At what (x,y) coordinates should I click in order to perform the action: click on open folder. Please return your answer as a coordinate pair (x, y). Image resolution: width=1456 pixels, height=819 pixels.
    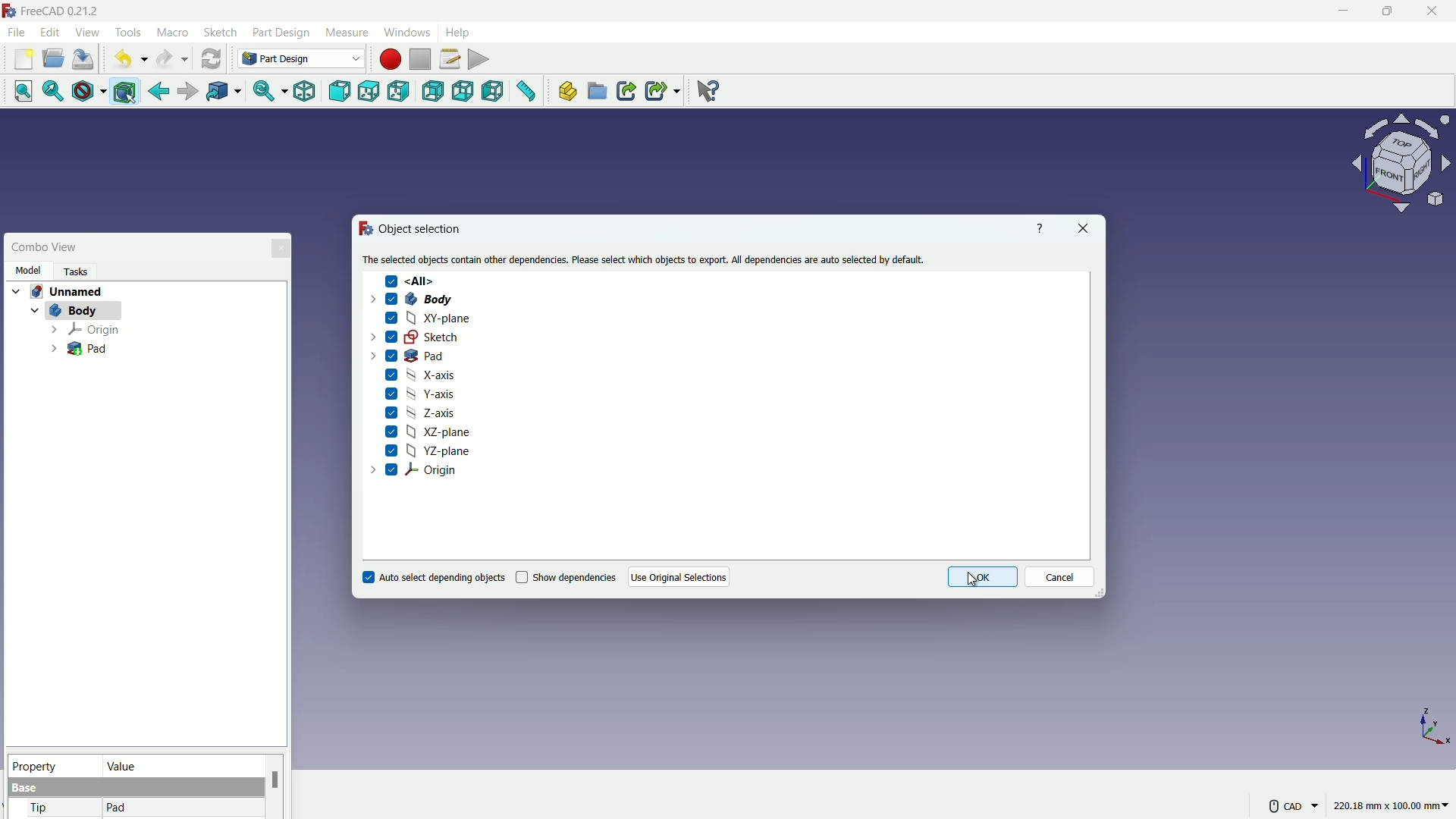
    Looking at the image, I should click on (53, 59).